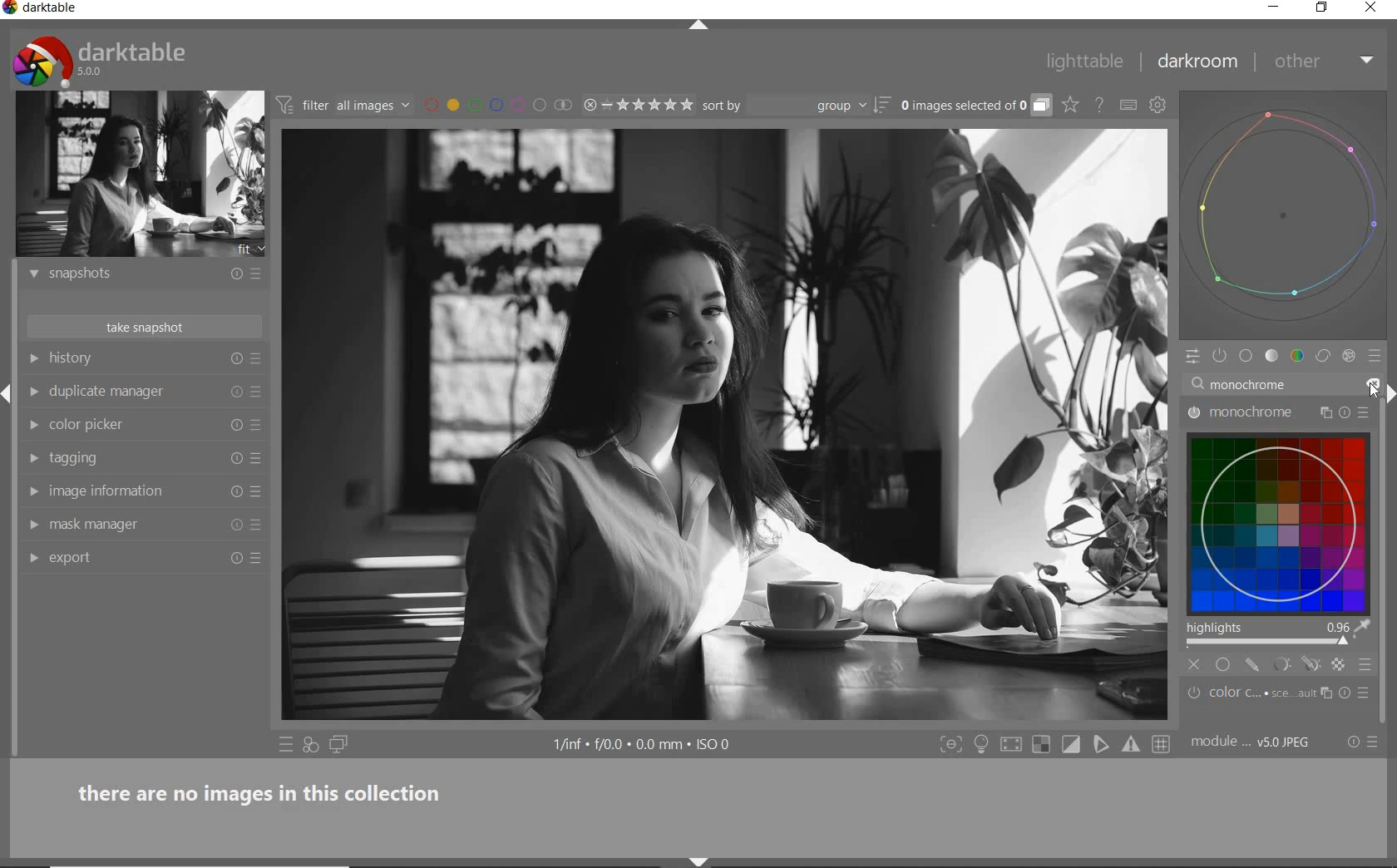  I want to click on presets, so click(1365, 691).